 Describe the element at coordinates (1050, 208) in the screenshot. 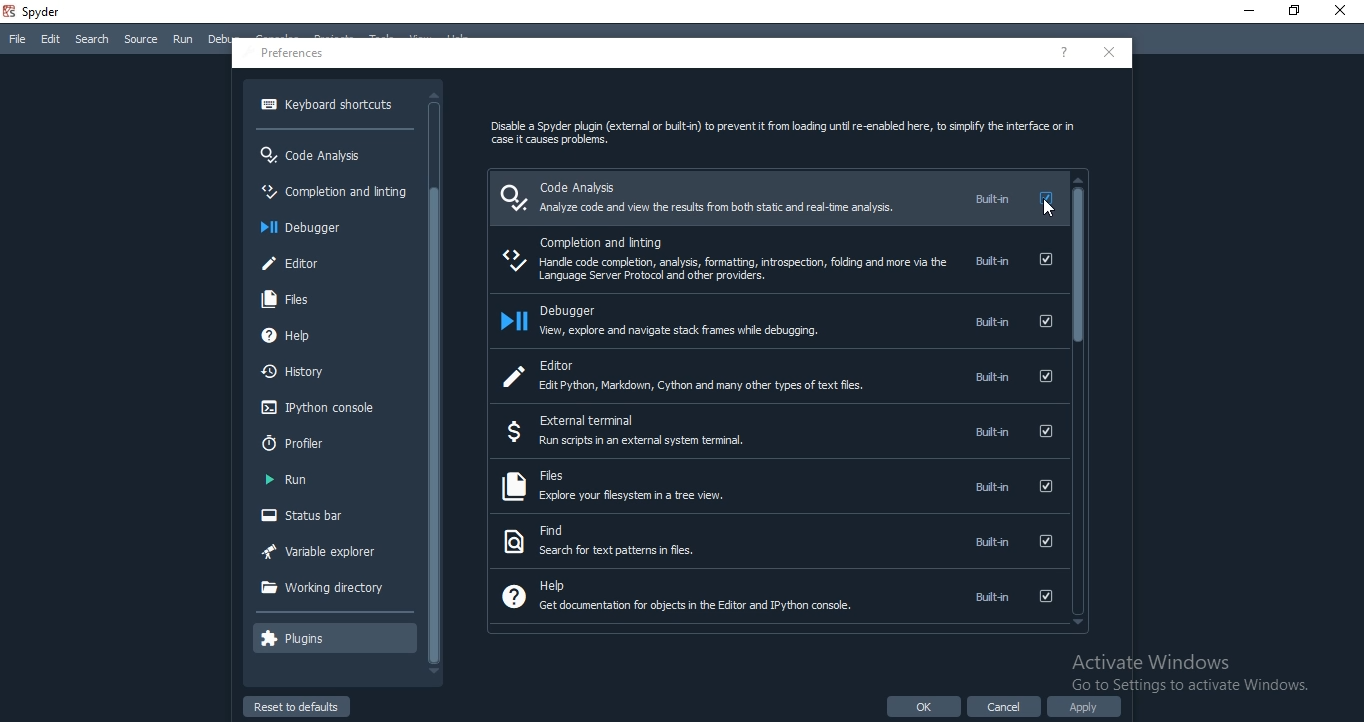

I see `cursor` at that location.